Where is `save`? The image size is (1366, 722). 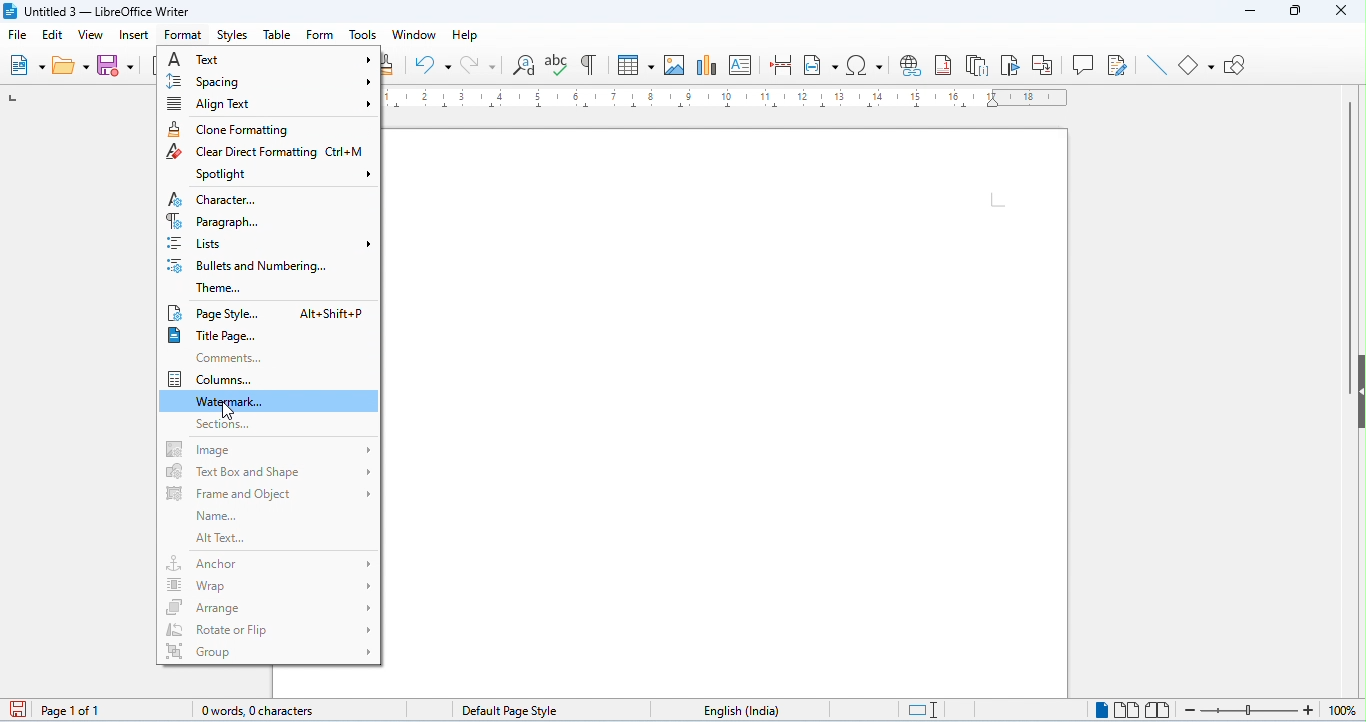 save is located at coordinates (116, 65).